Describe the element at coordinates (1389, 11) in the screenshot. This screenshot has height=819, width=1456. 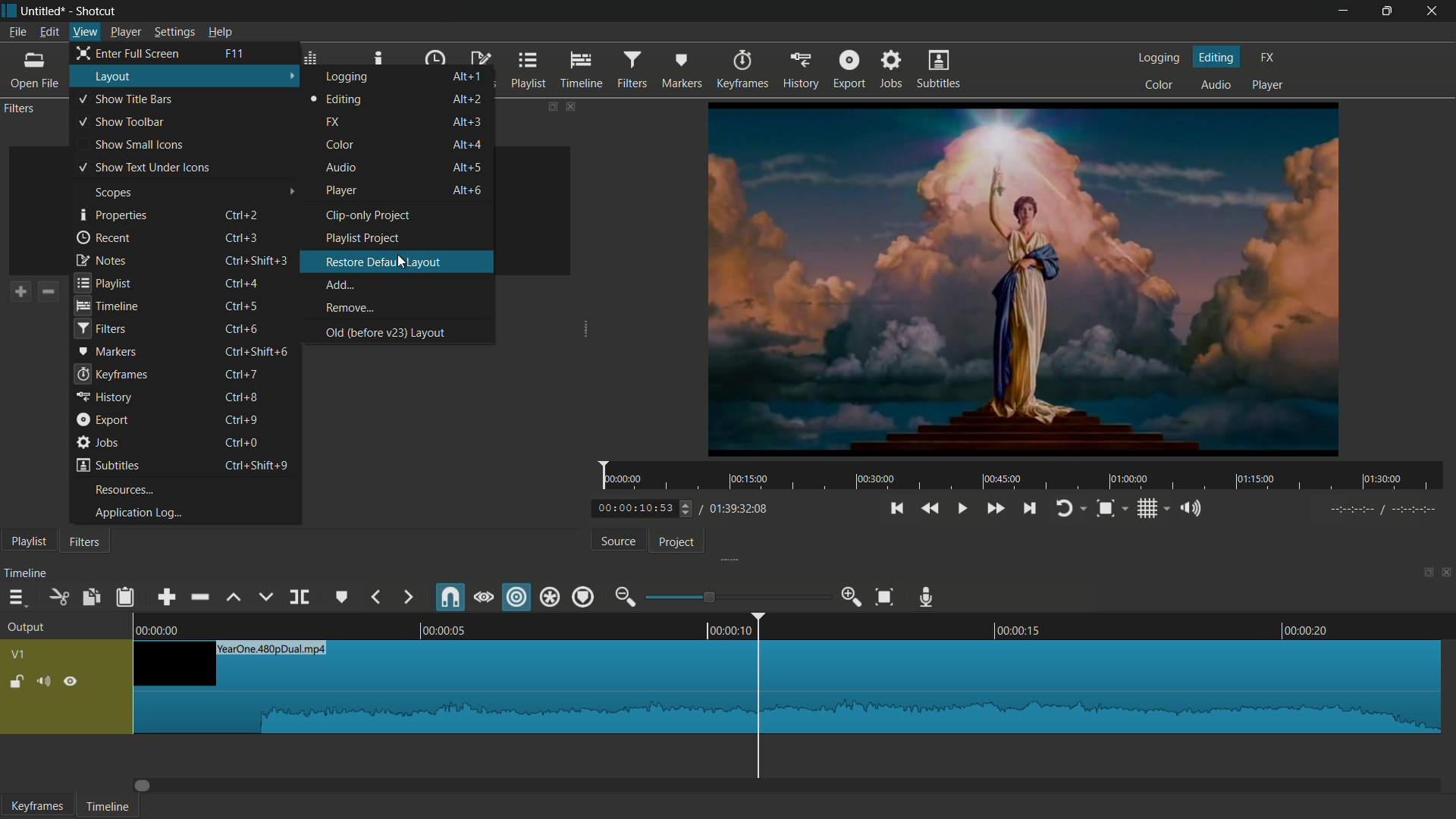
I see `maximize` at that location.